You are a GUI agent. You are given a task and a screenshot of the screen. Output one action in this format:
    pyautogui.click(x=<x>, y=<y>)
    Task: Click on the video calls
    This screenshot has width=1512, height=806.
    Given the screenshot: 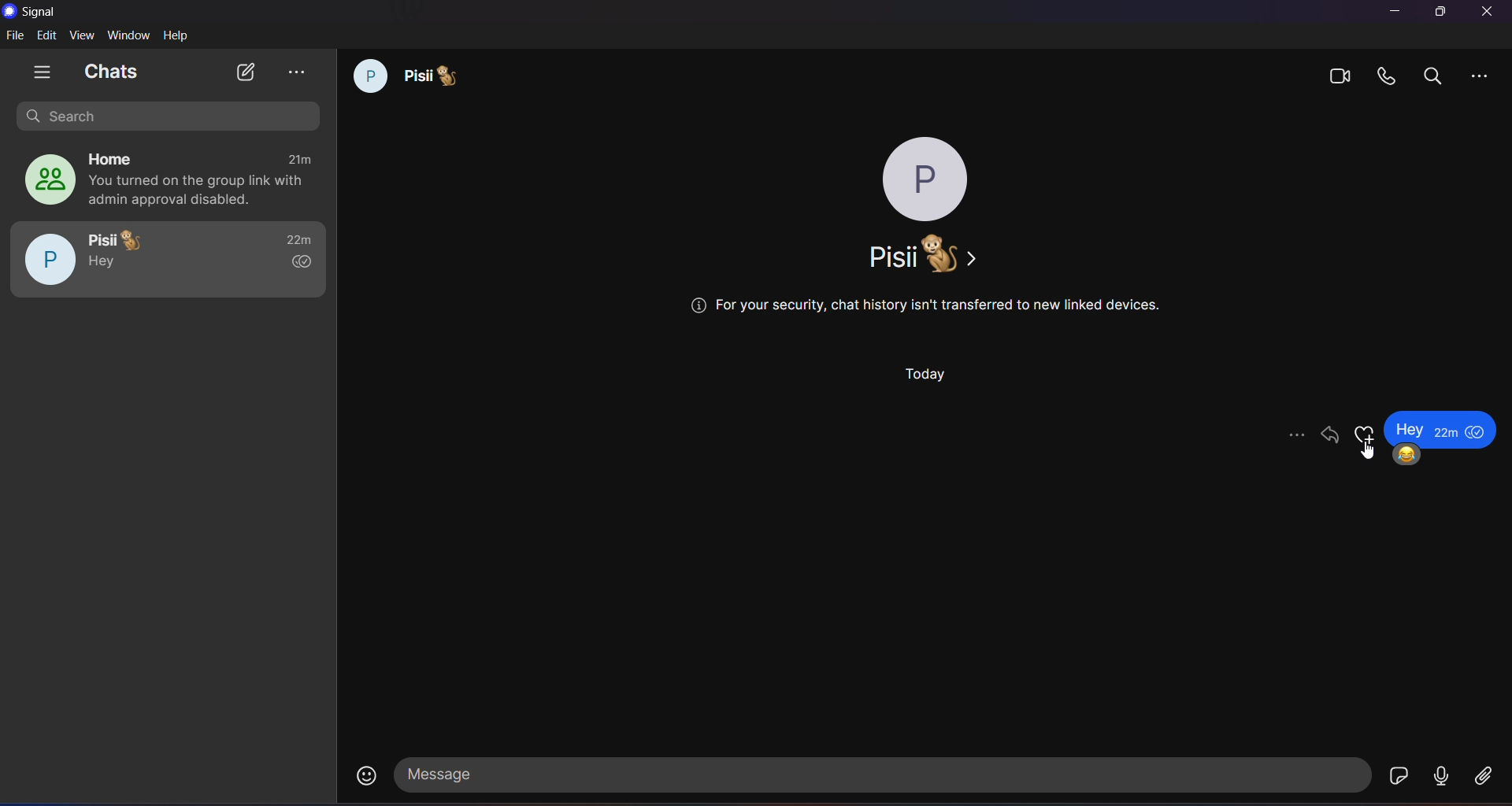 What is the action you would take?
    pyautogui.click(x=1339, y=74)
    